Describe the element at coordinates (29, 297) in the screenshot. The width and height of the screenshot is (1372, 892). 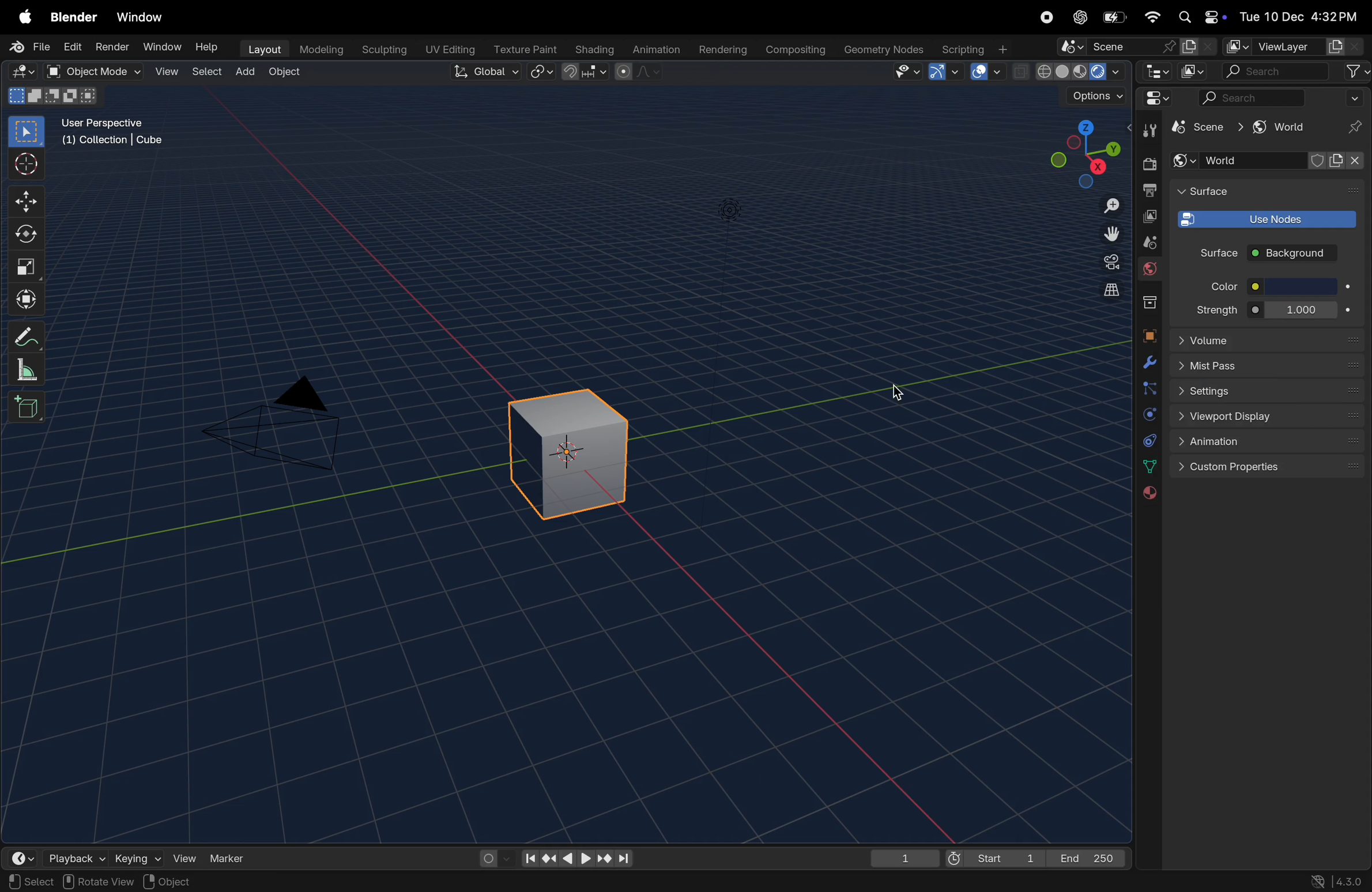
I see `transform` at that location.